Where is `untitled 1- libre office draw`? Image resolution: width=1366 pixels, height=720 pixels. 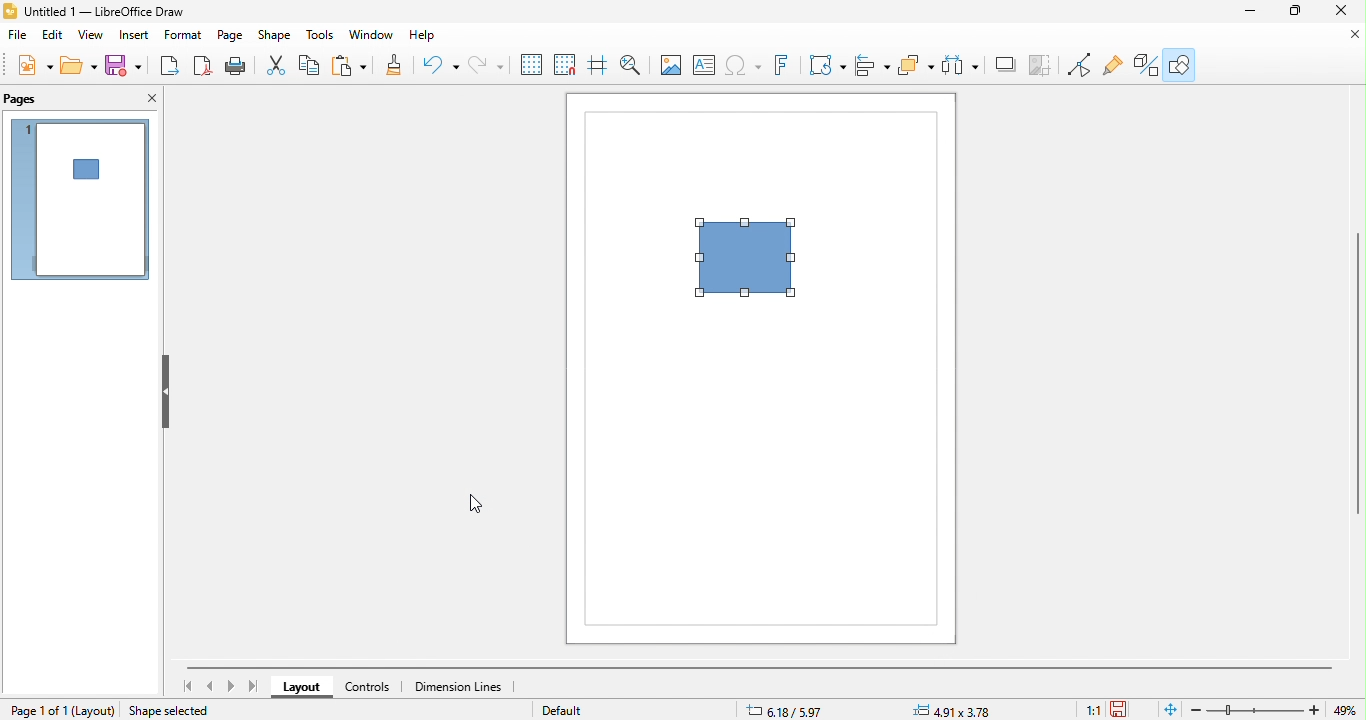 untitled 1- libre office draw is located at coordinates (114, 12).